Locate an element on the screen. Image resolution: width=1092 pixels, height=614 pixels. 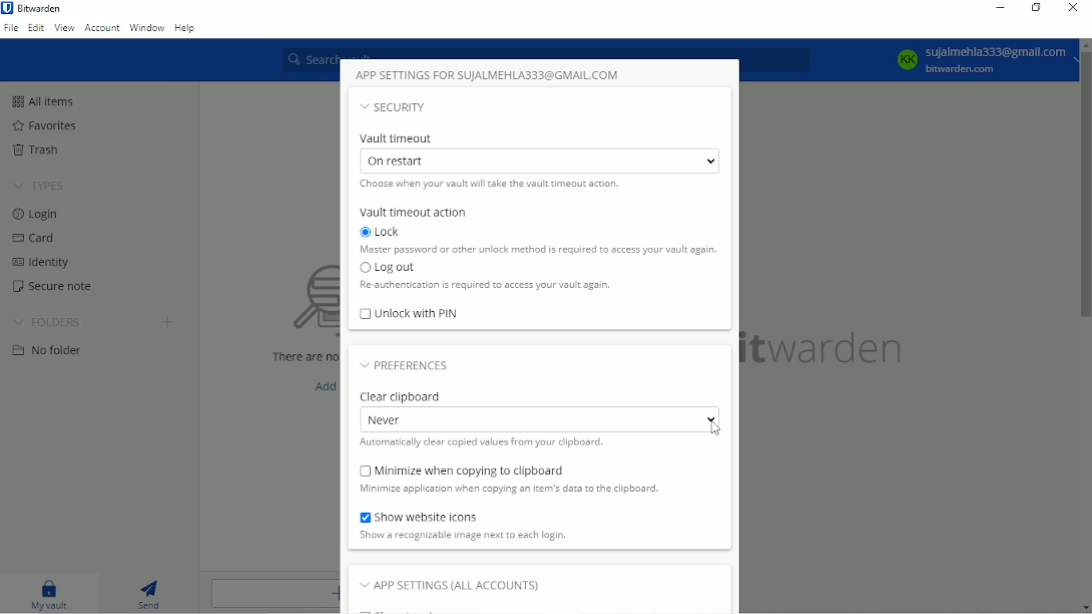
Card is located at coordinates (38, 237).